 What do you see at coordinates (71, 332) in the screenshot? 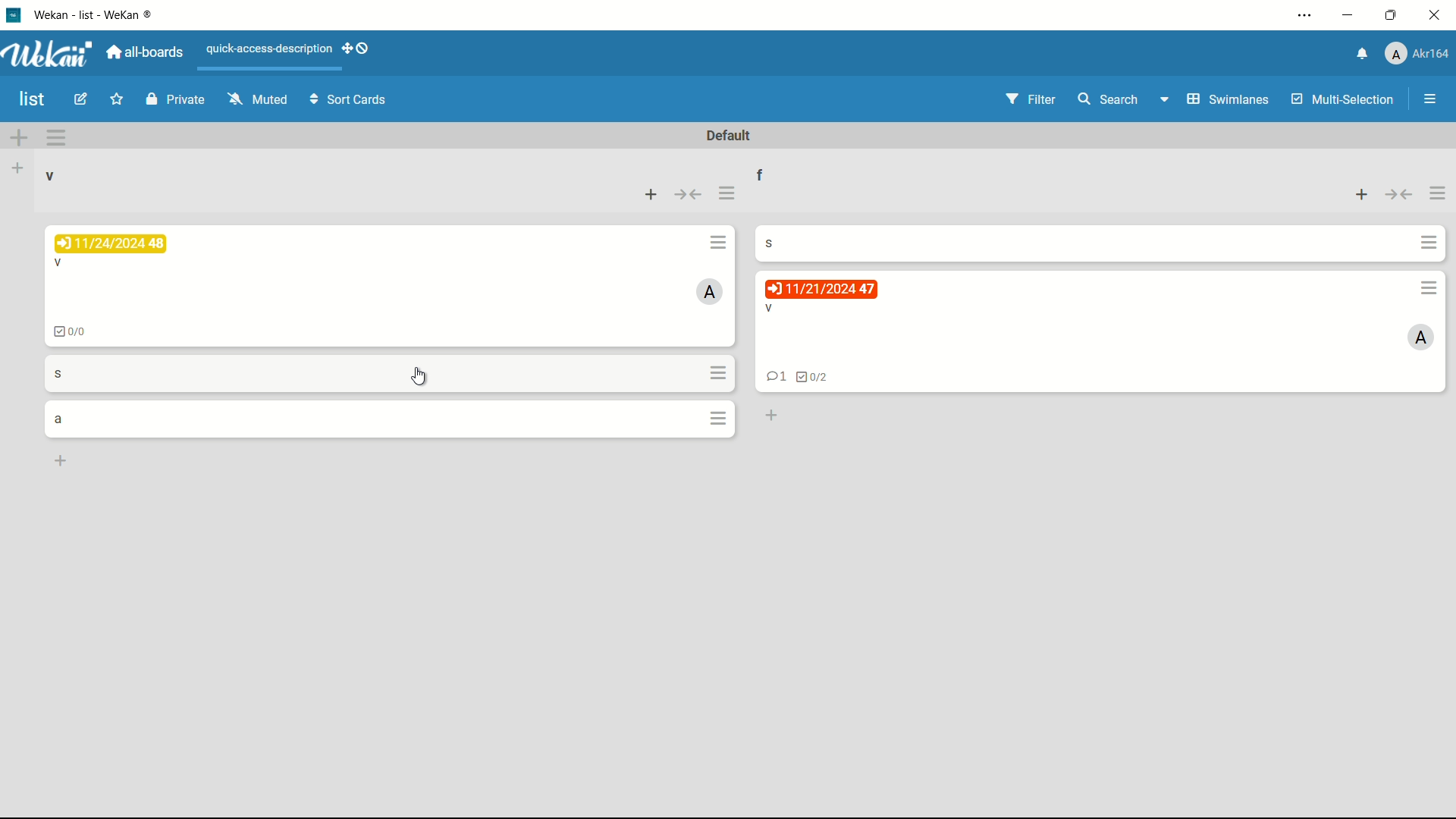
I see `checklist` at bounding box center [71, 332].